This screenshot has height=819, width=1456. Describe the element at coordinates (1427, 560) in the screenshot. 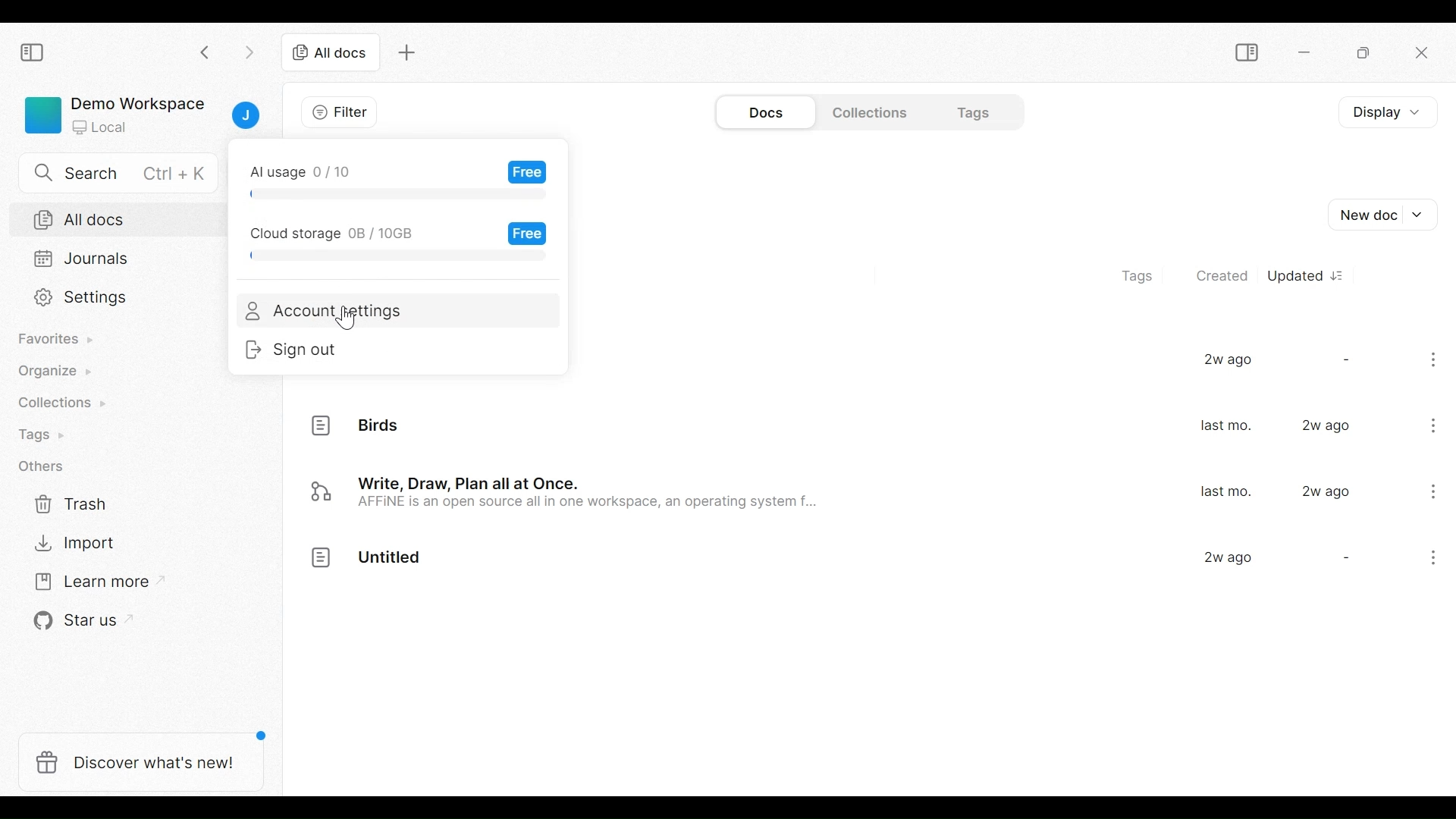

I see `more options` at that location.